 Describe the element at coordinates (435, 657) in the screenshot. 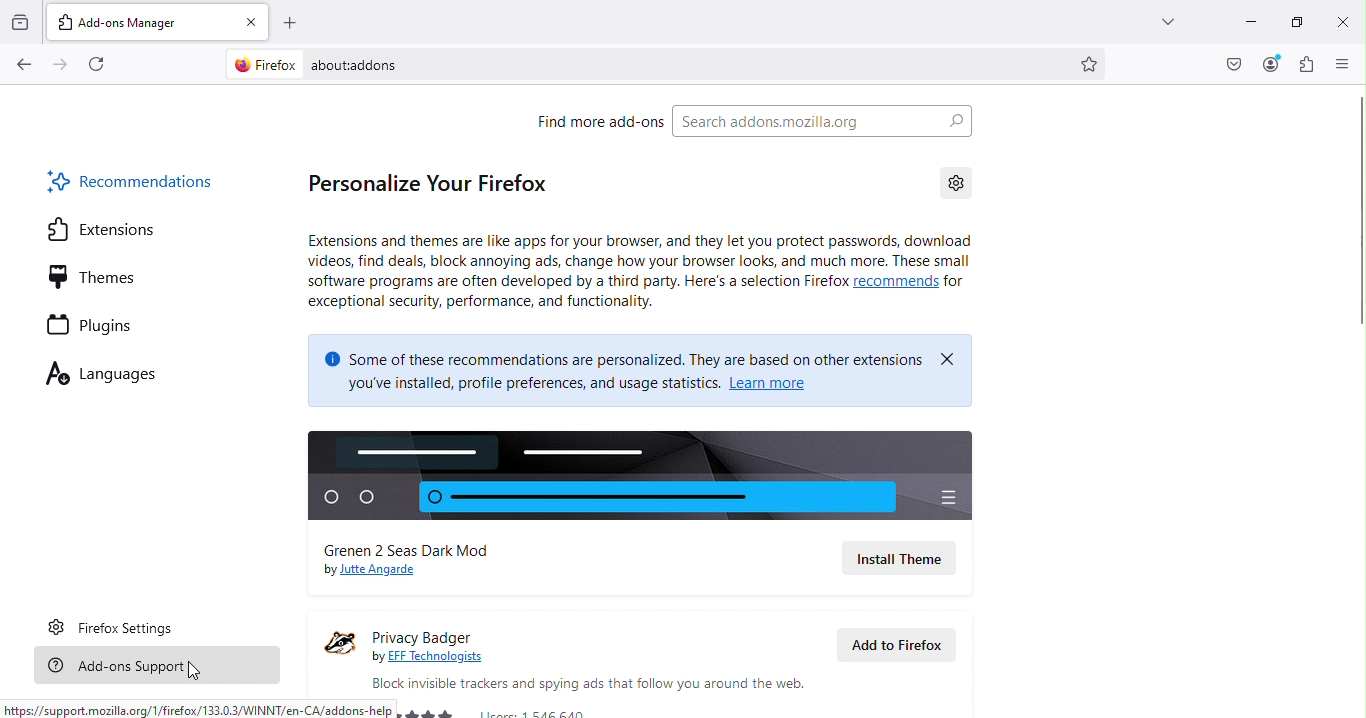

I see `Hyperlink` at that location.